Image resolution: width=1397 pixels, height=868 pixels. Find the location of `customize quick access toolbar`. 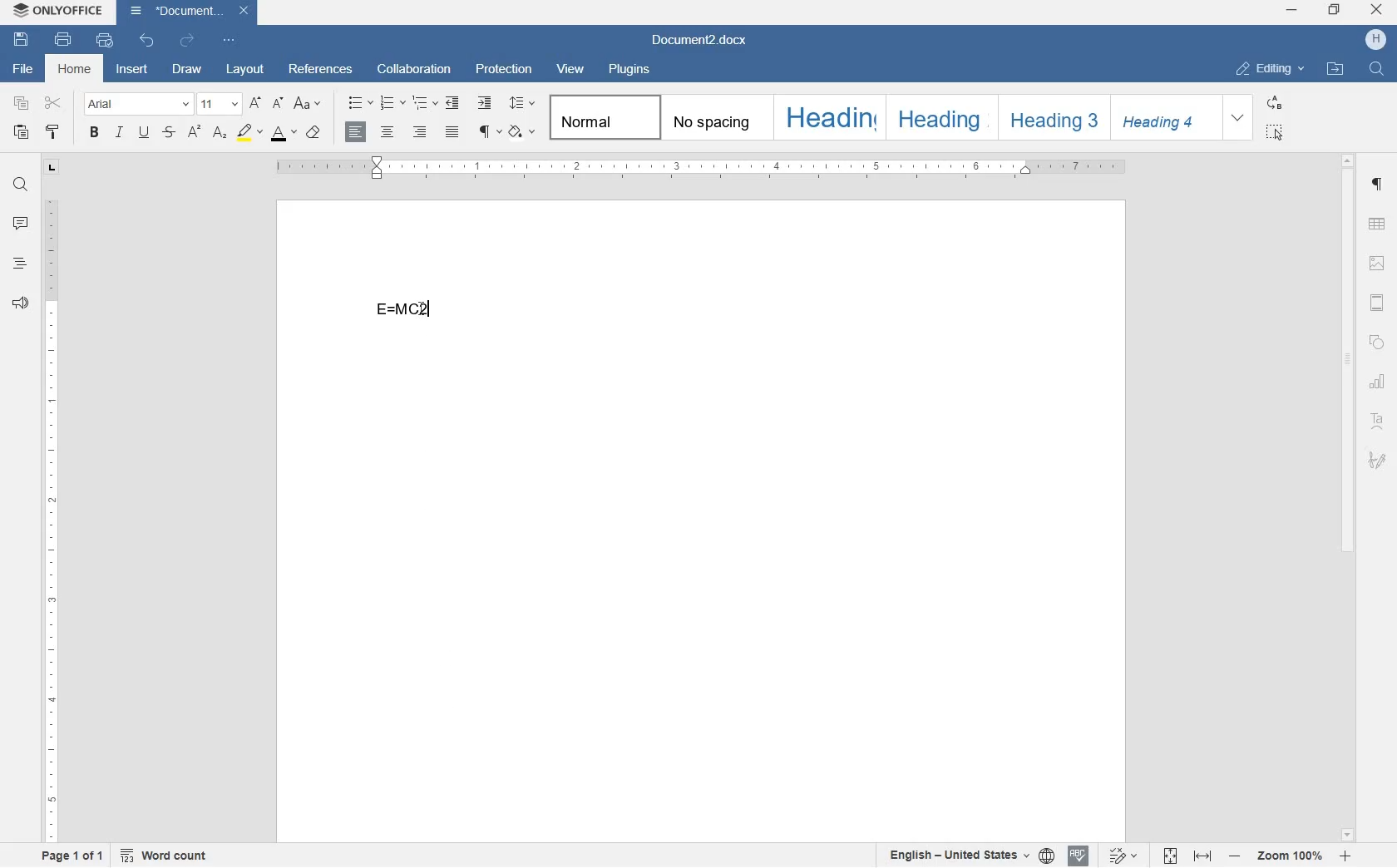

customize quick access toolbar is located at coordinates (229, 40).